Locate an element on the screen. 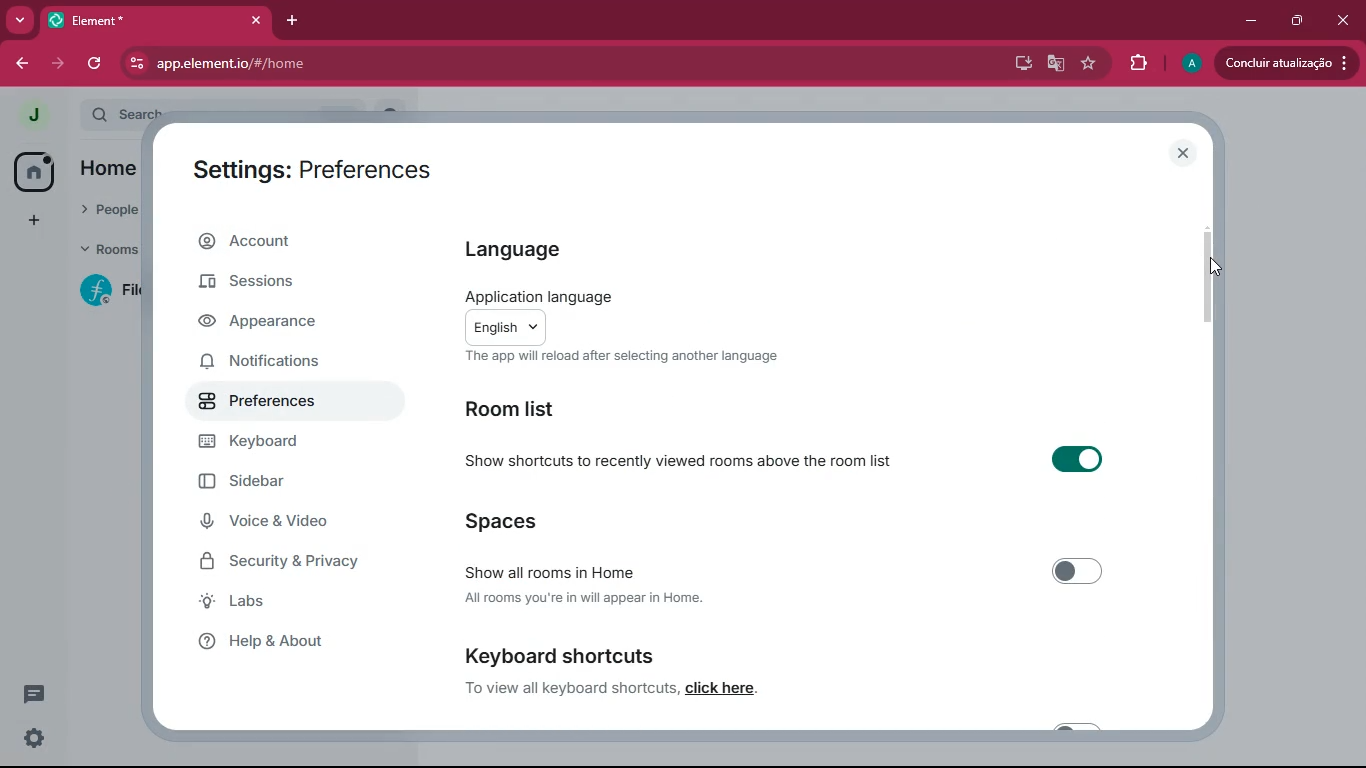 Image resolution: width=1366 pixels, height=768 pixels. show all rooms in home is located at coordinates (551, 571).